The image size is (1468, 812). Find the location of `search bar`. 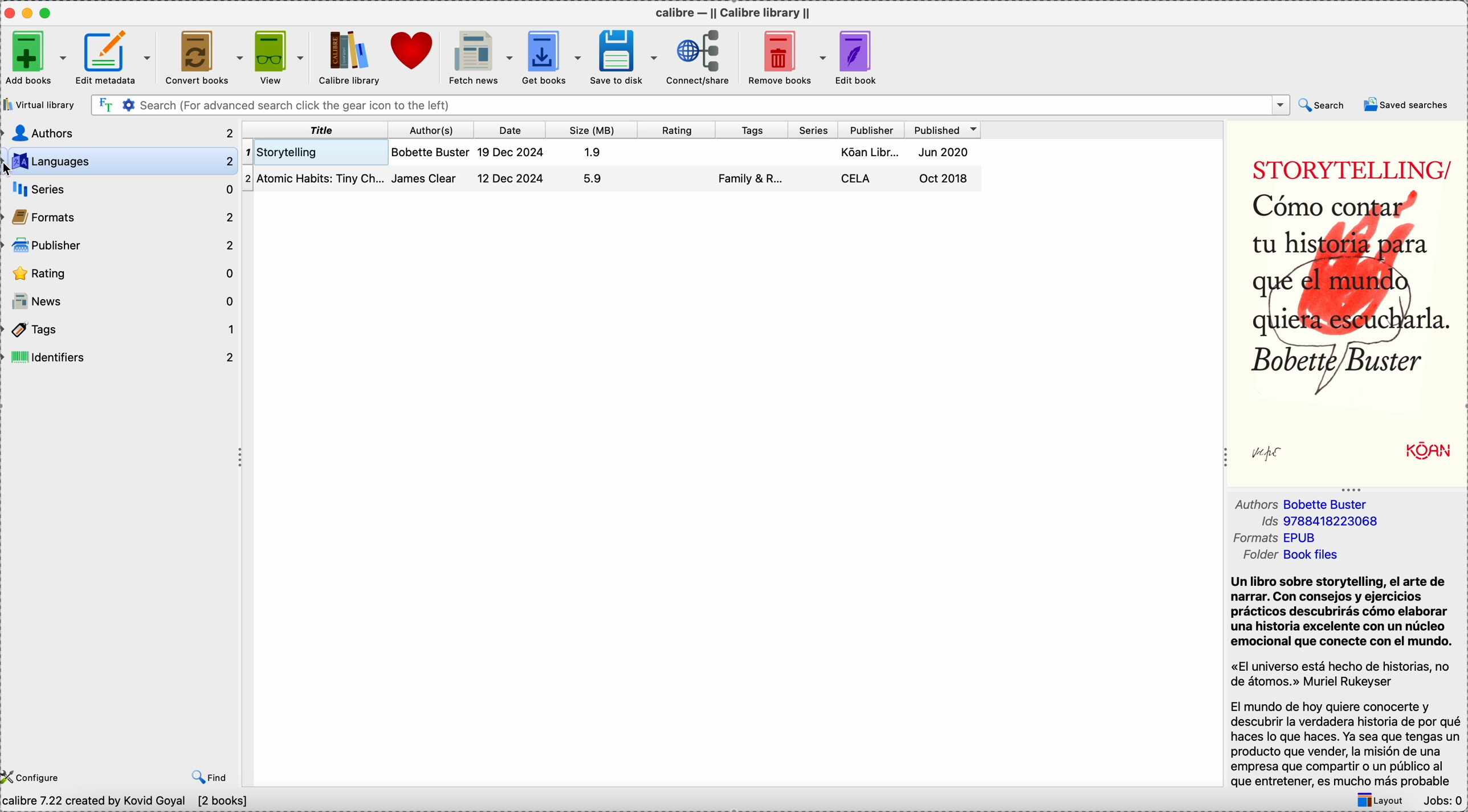

search bar is located at coordinates (690, 104).